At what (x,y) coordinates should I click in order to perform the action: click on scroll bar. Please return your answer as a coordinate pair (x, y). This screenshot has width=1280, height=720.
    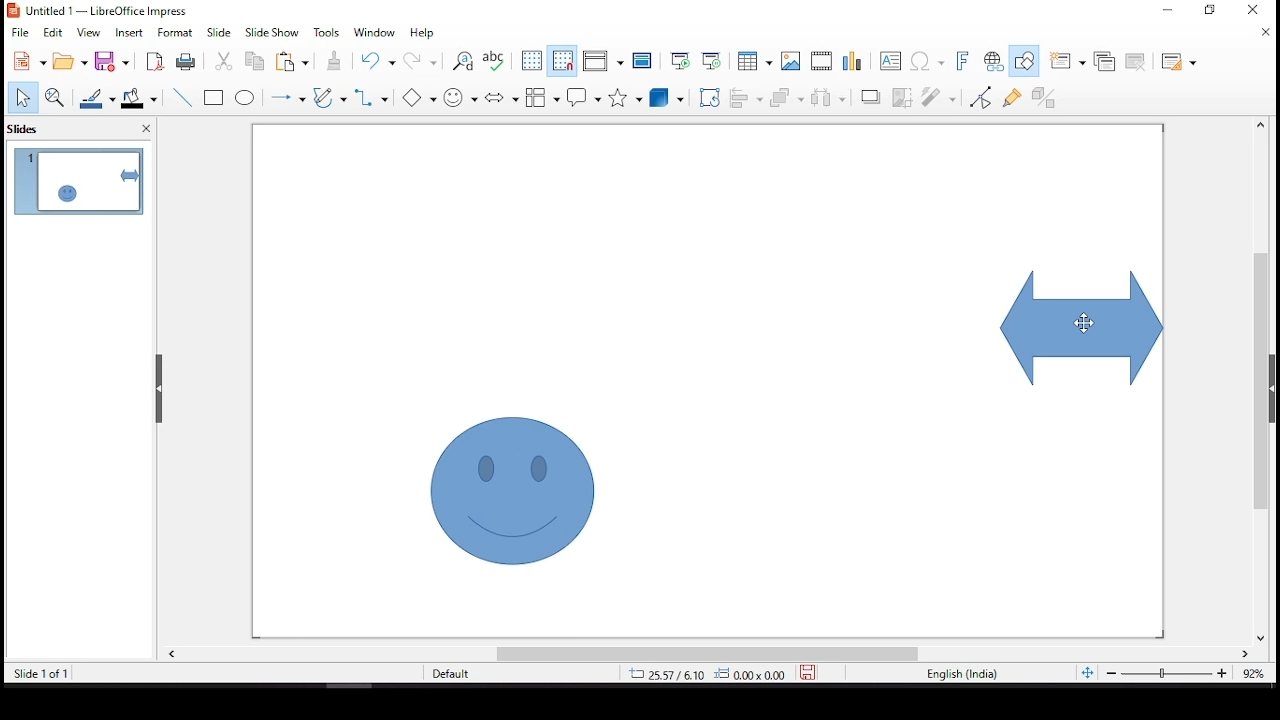
    Looking at the image, I should click on (1255, 380).